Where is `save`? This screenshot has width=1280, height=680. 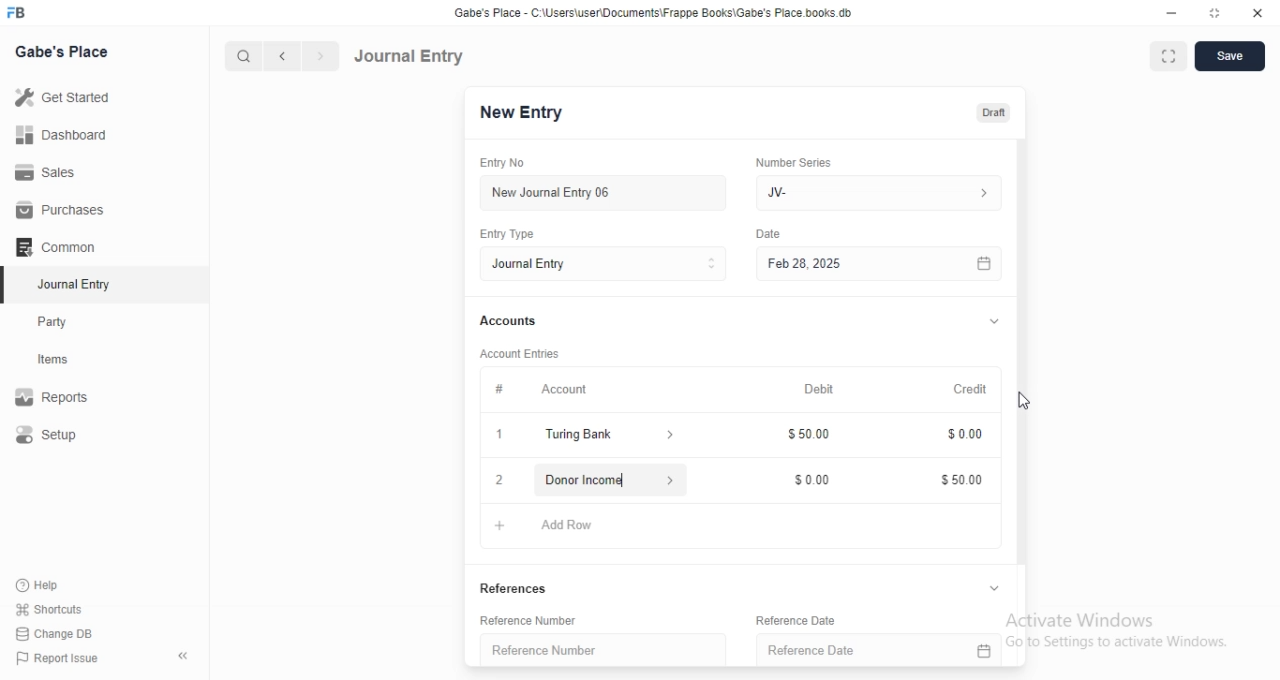
save is located at coordinates (1232, 56).